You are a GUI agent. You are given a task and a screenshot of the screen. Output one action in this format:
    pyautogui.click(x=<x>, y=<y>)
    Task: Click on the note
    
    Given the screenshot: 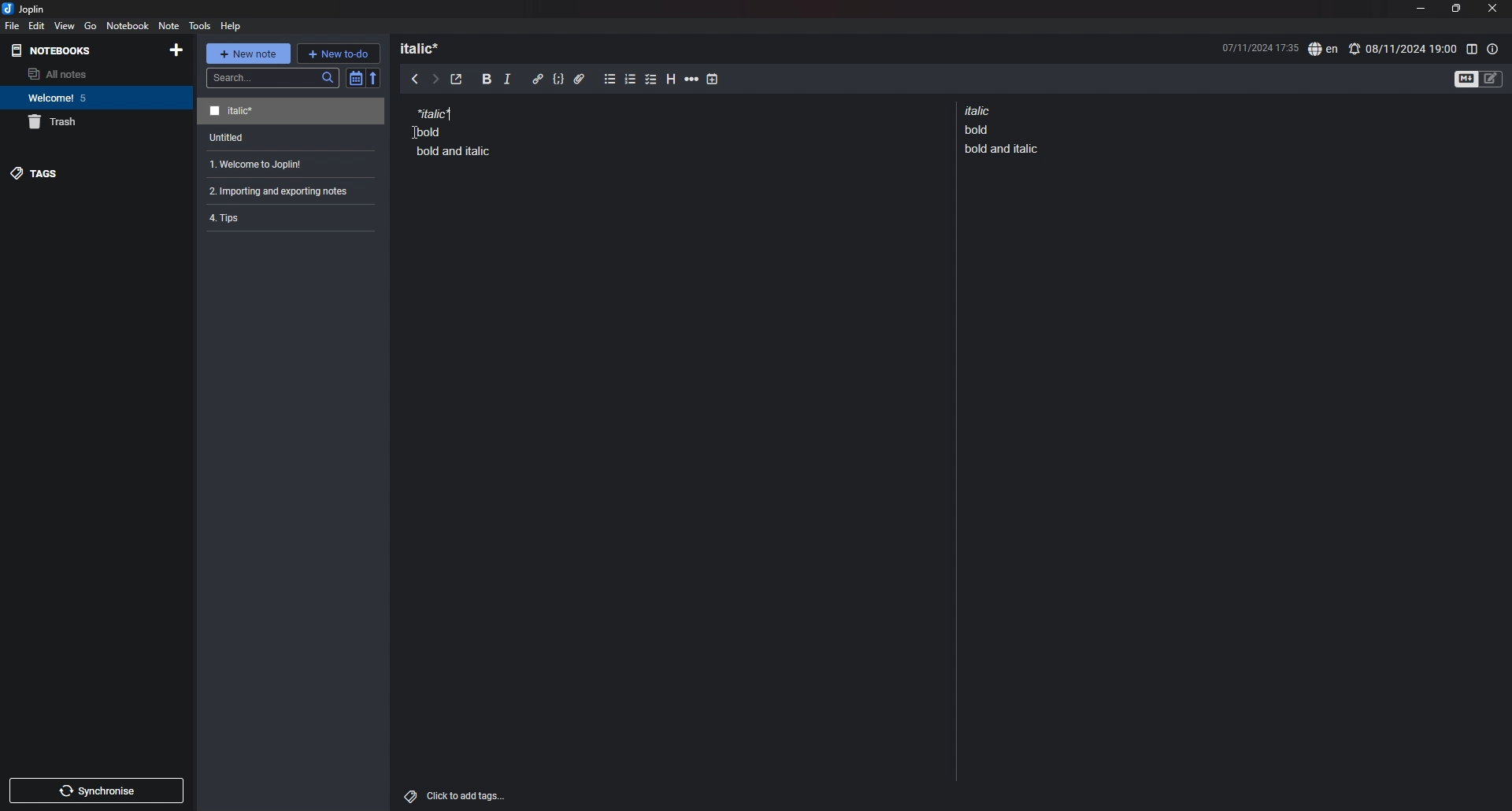 What is the action you would take?
    pyautogui.click(x=287, y=165)
    